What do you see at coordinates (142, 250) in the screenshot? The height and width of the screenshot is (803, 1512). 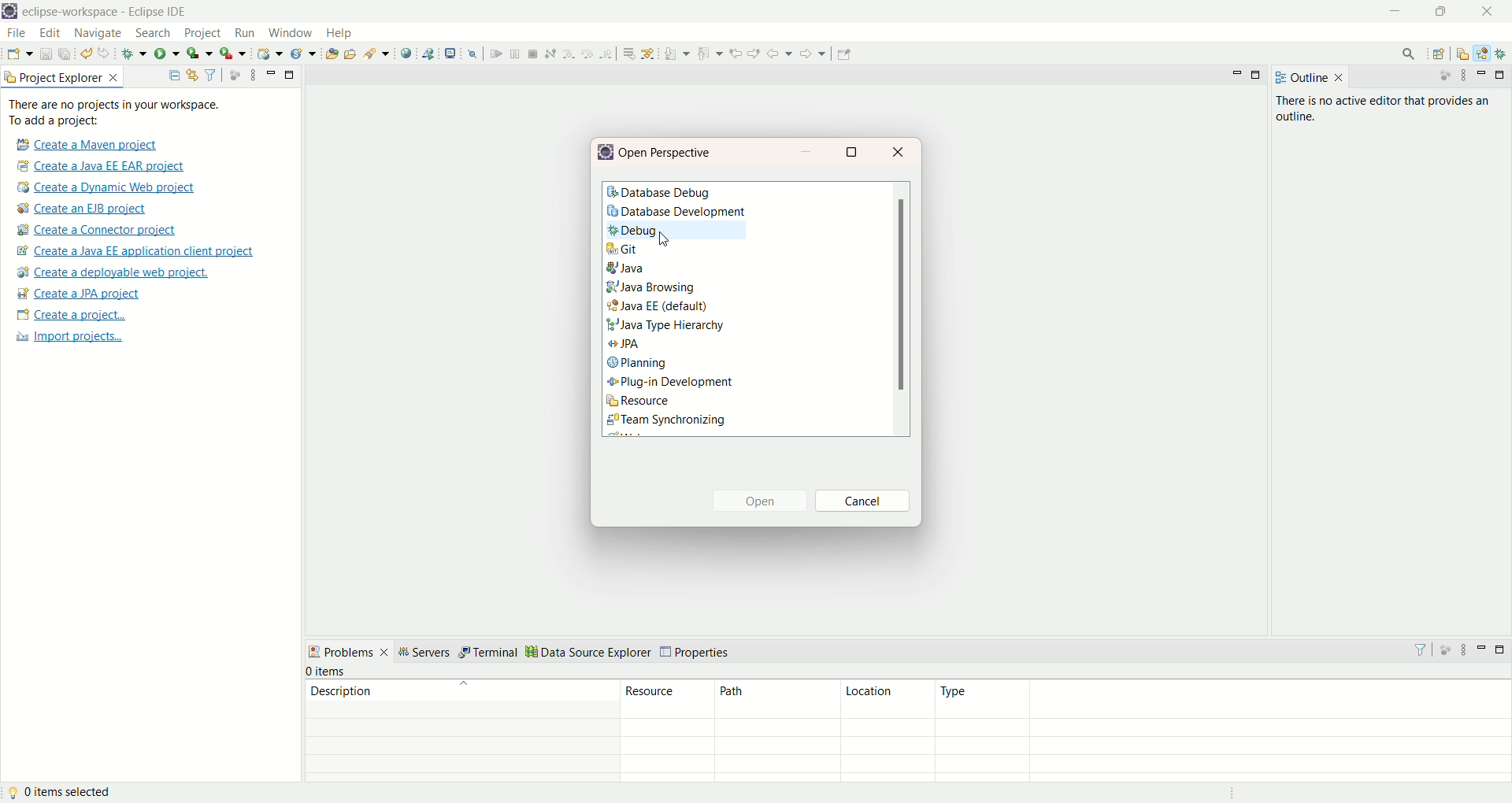 I see `create a Java EE` at bounding box center [142, 250].